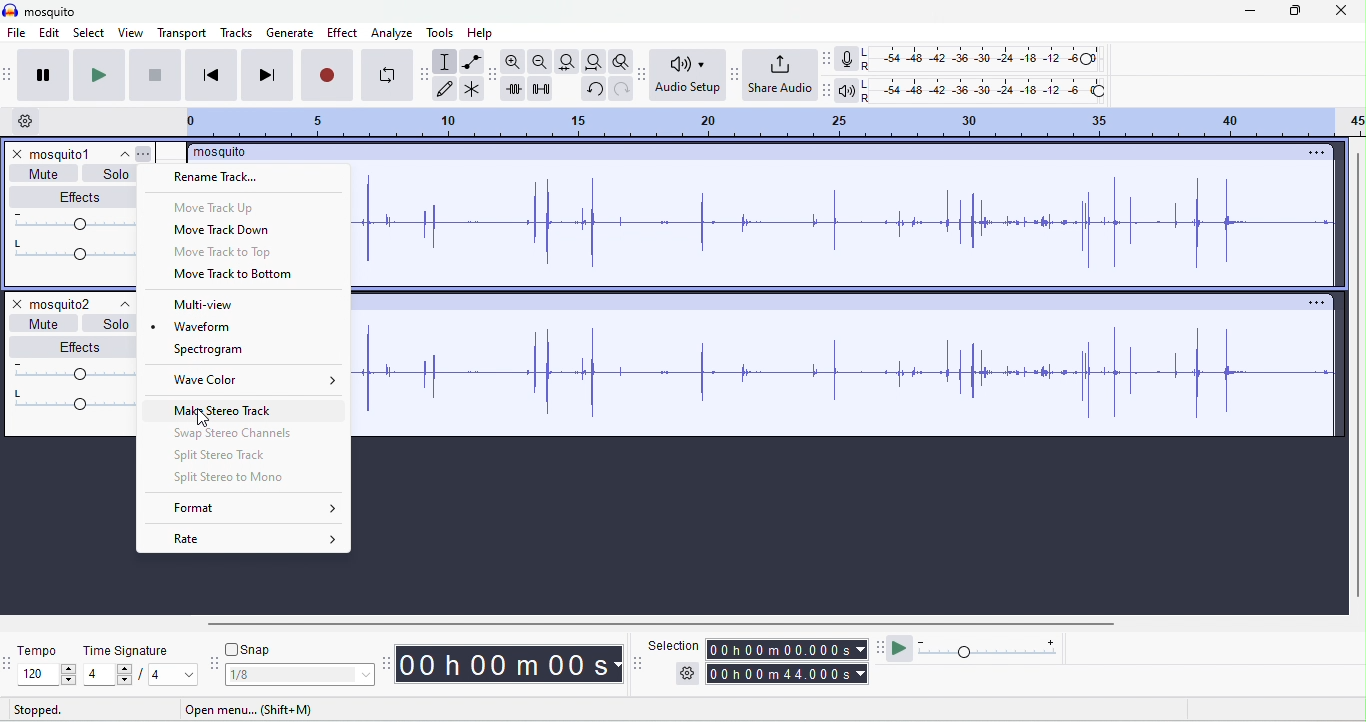 This screenshot has width=1366, height=722. I want to click on mute, so click(44, 324).